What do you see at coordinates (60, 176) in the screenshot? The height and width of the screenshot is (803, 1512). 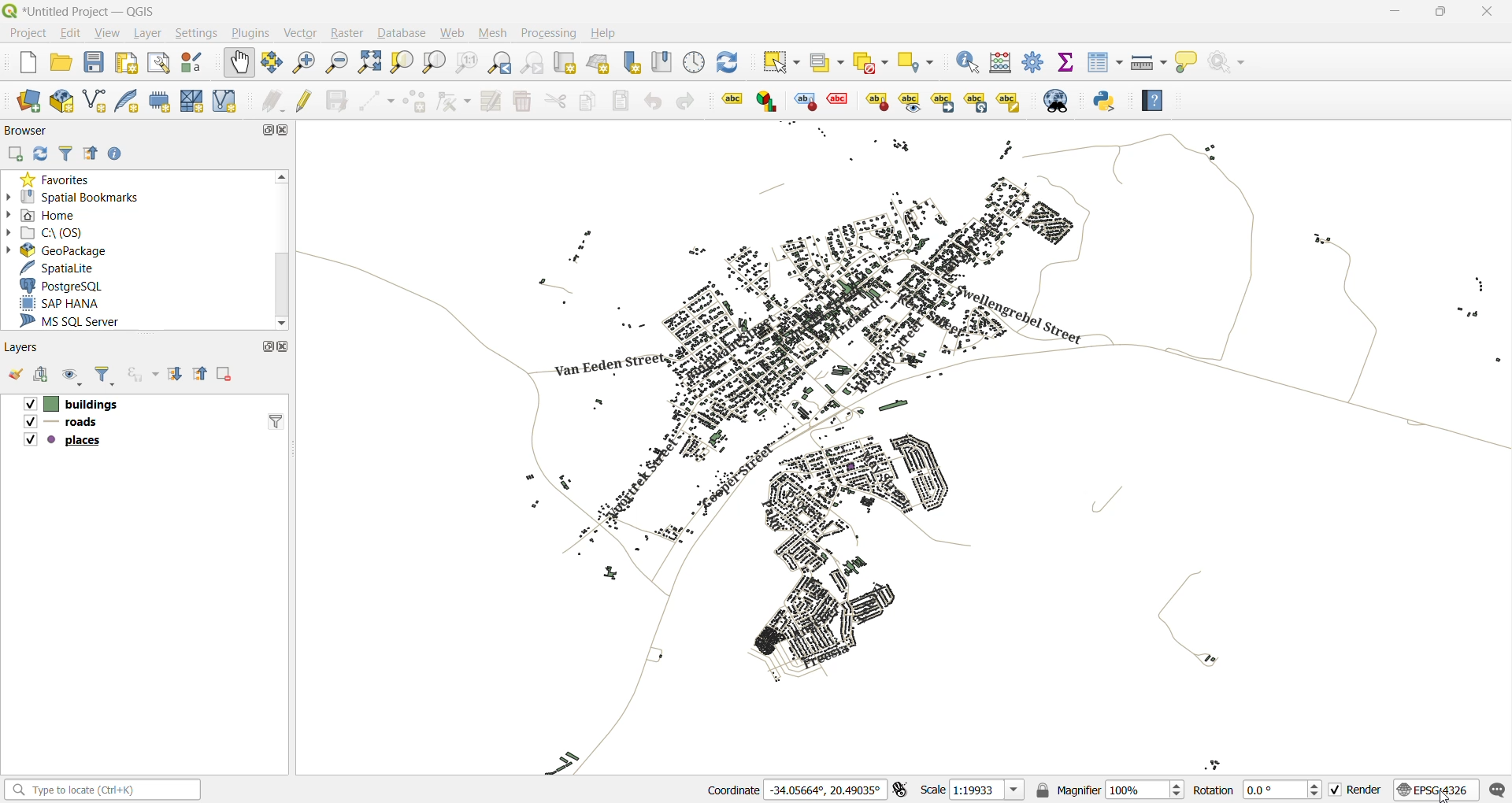 I see `favorites` at bounding box center [60, 176].